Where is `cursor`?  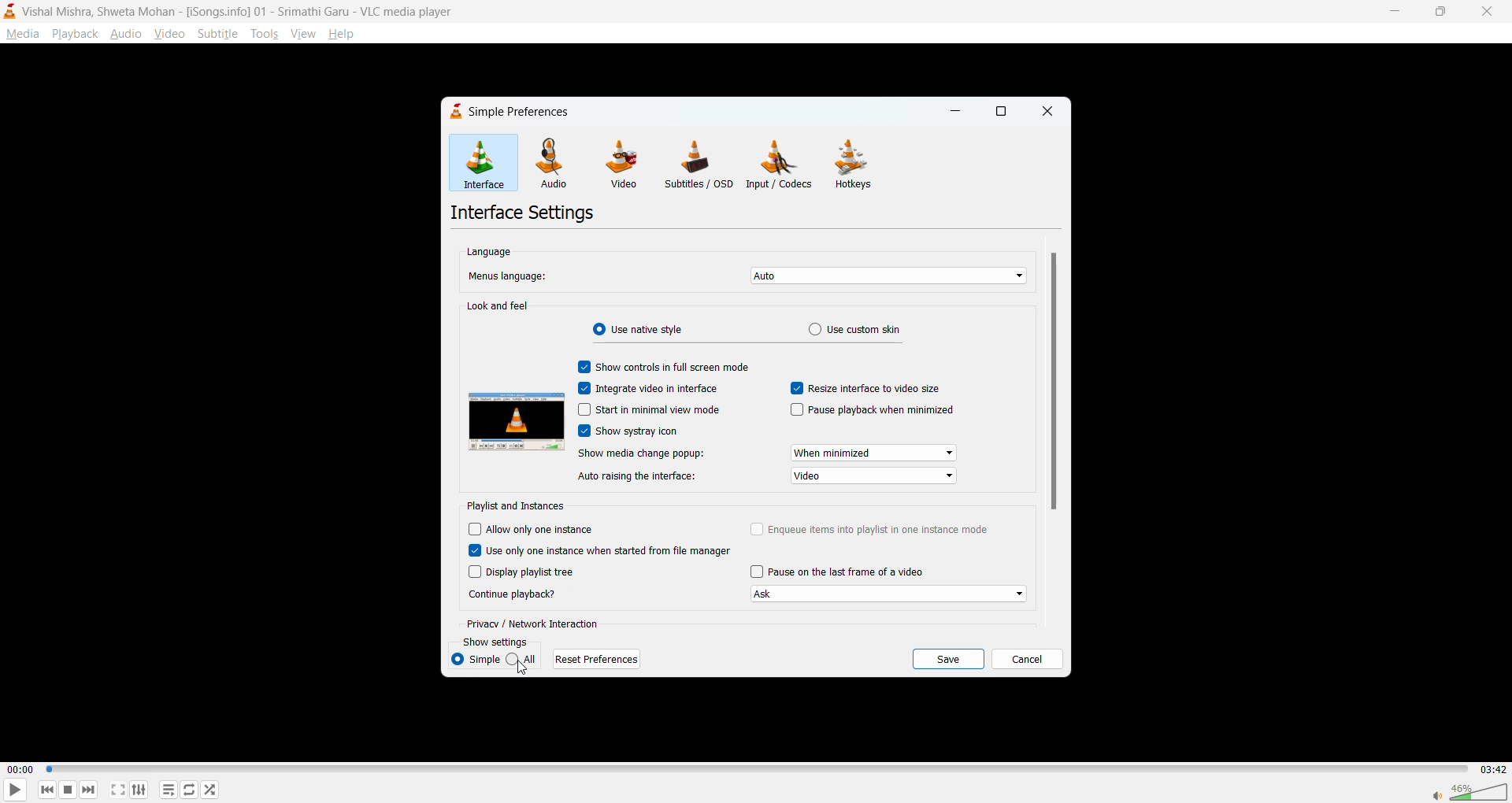
cursor is located at coordinates (521, 671).